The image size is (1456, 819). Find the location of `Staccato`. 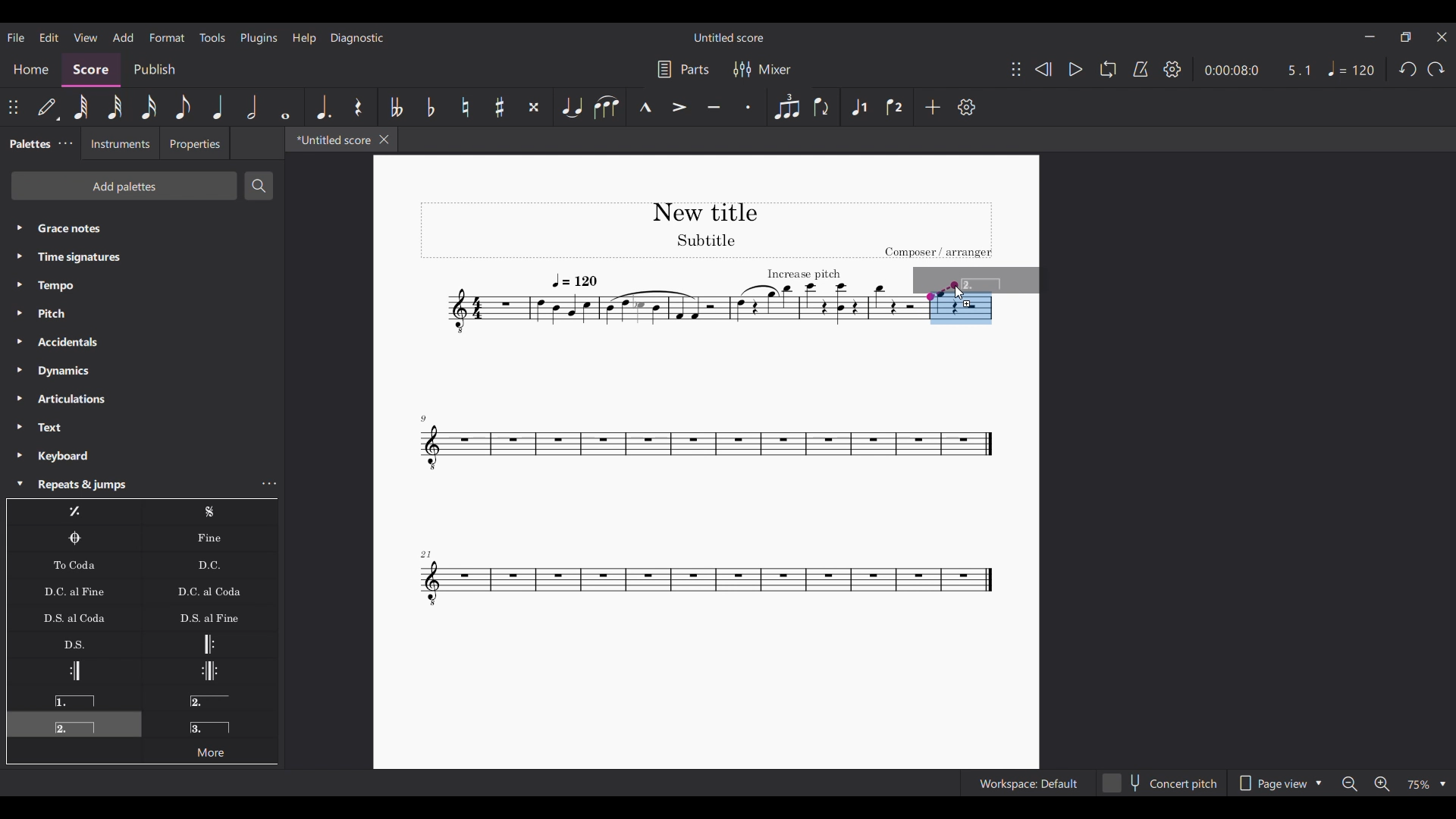

Staccato is located at coordinates (748, 107).